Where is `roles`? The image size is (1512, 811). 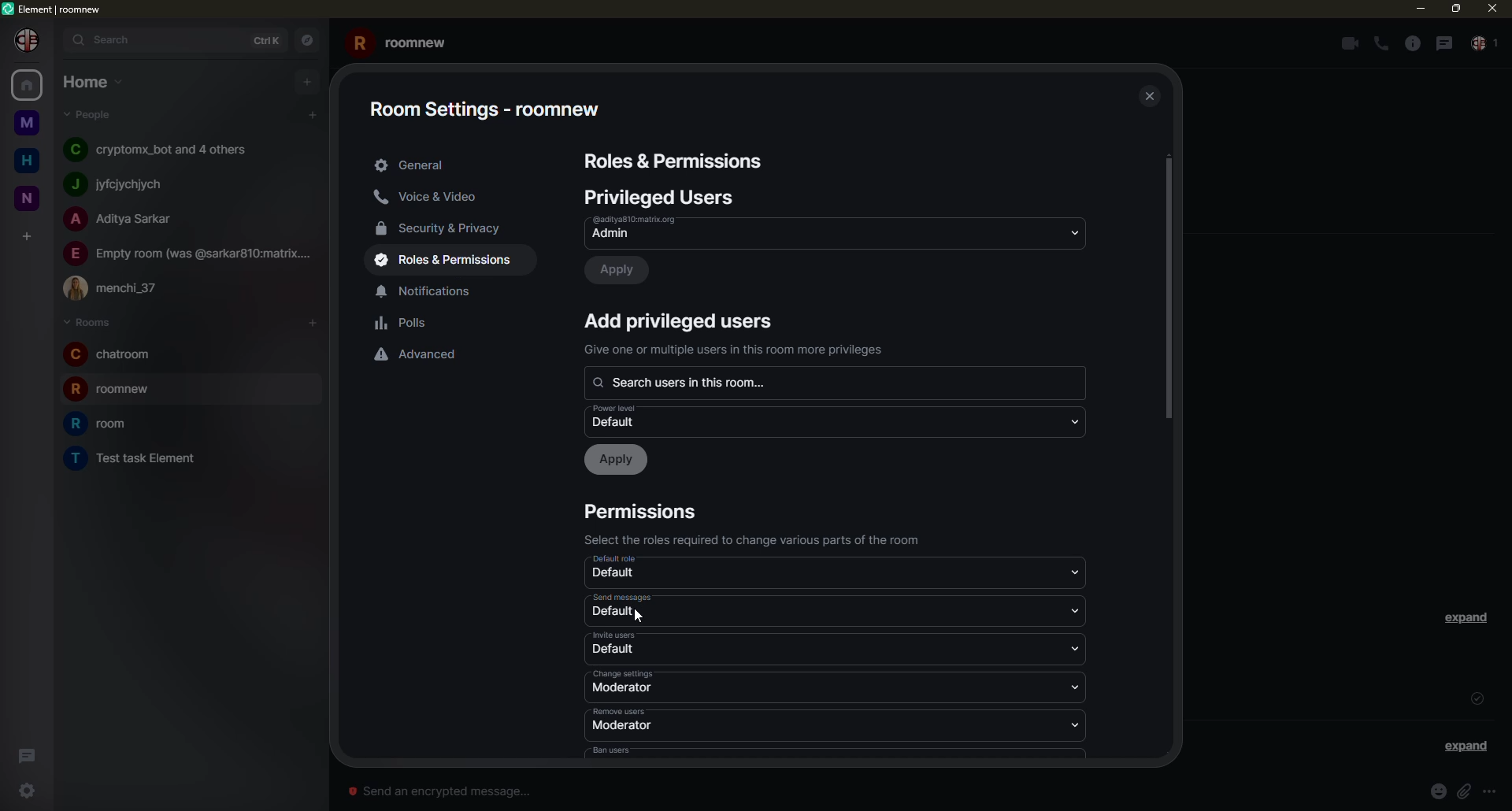 roles is located at coordinates (676, 162).